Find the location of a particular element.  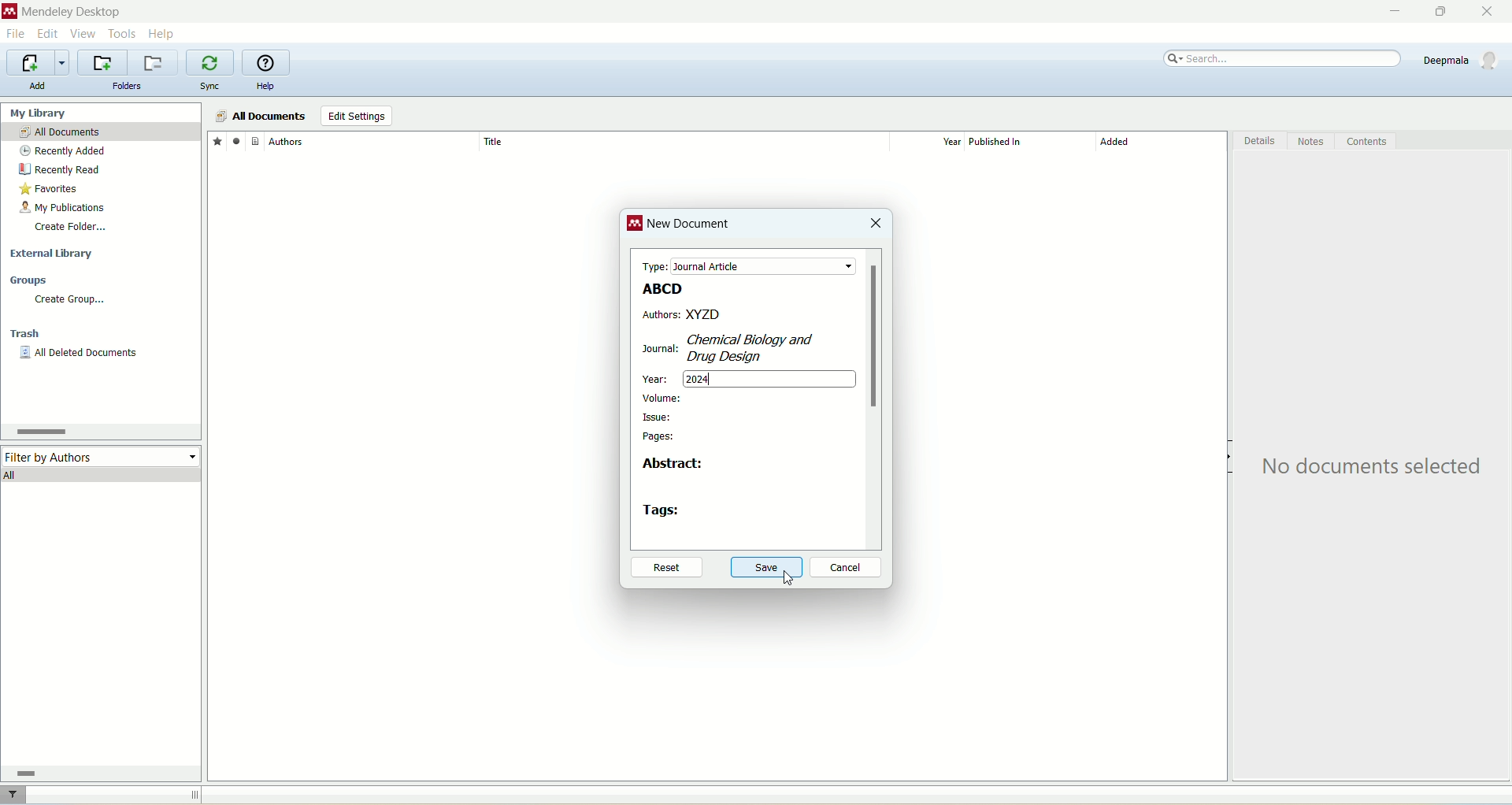

volume is located at coordinates (663, 398).